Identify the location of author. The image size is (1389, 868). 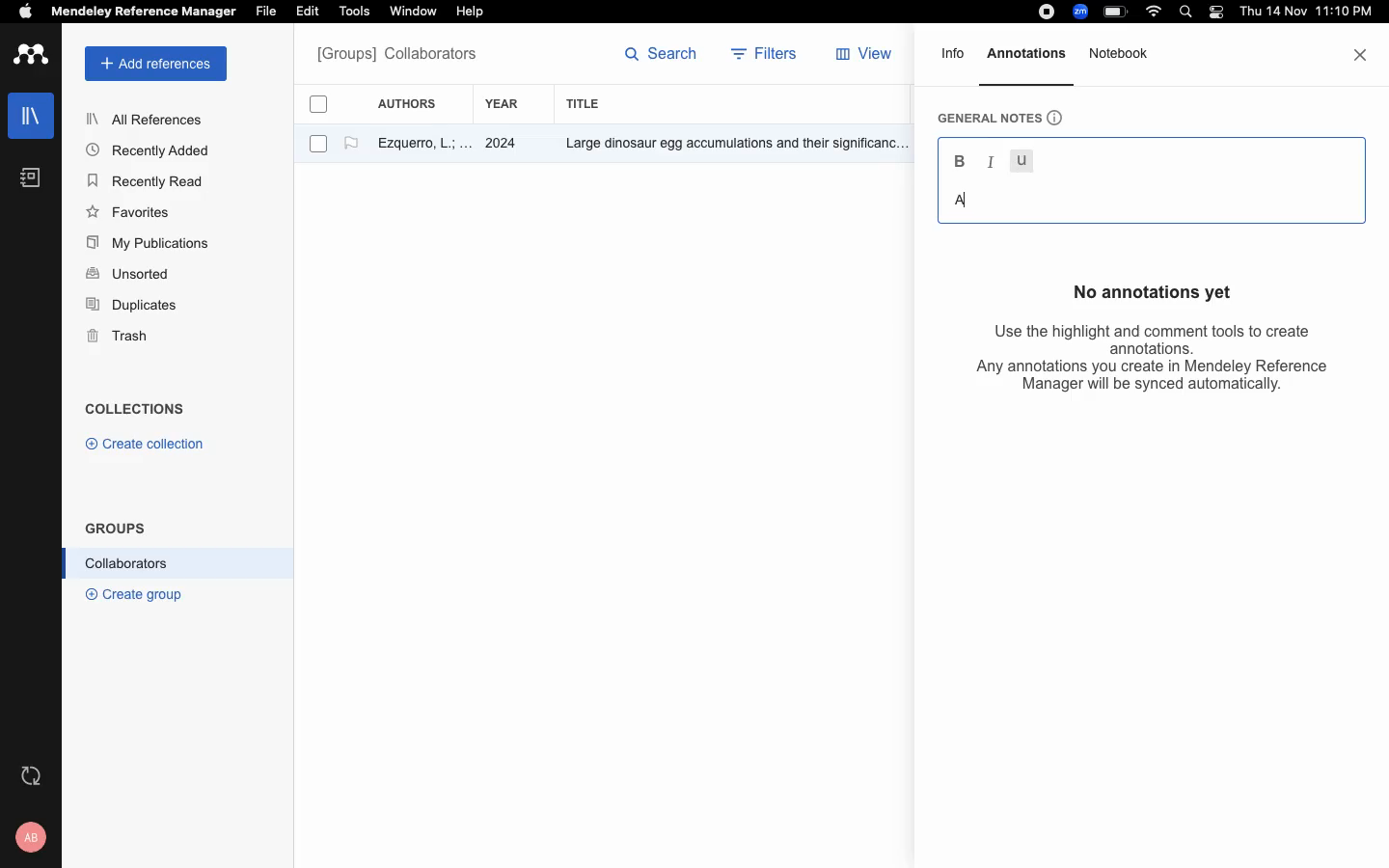
(416, 146).